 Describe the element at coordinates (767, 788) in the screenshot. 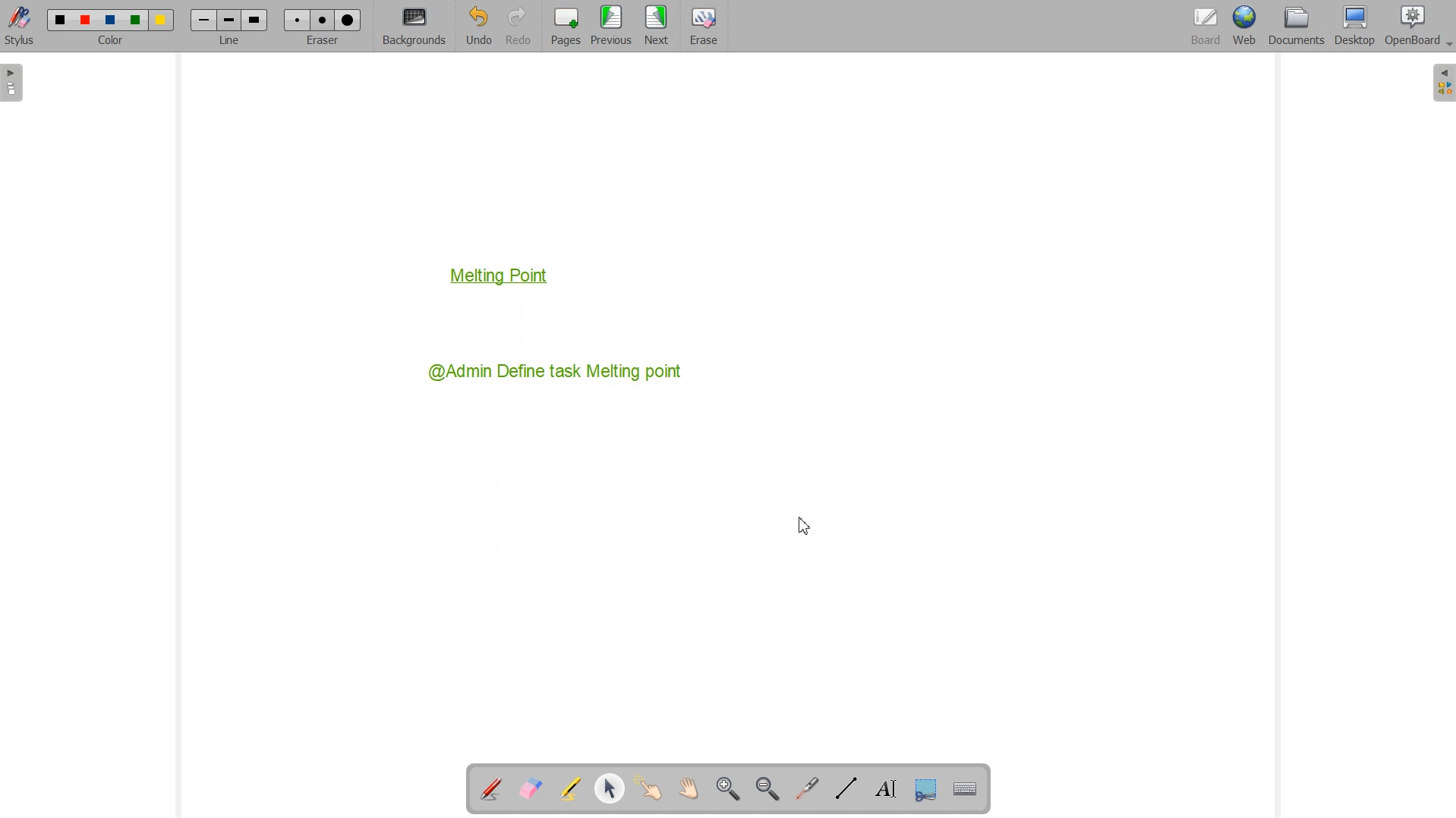

I see `Zoom Out` at that location.